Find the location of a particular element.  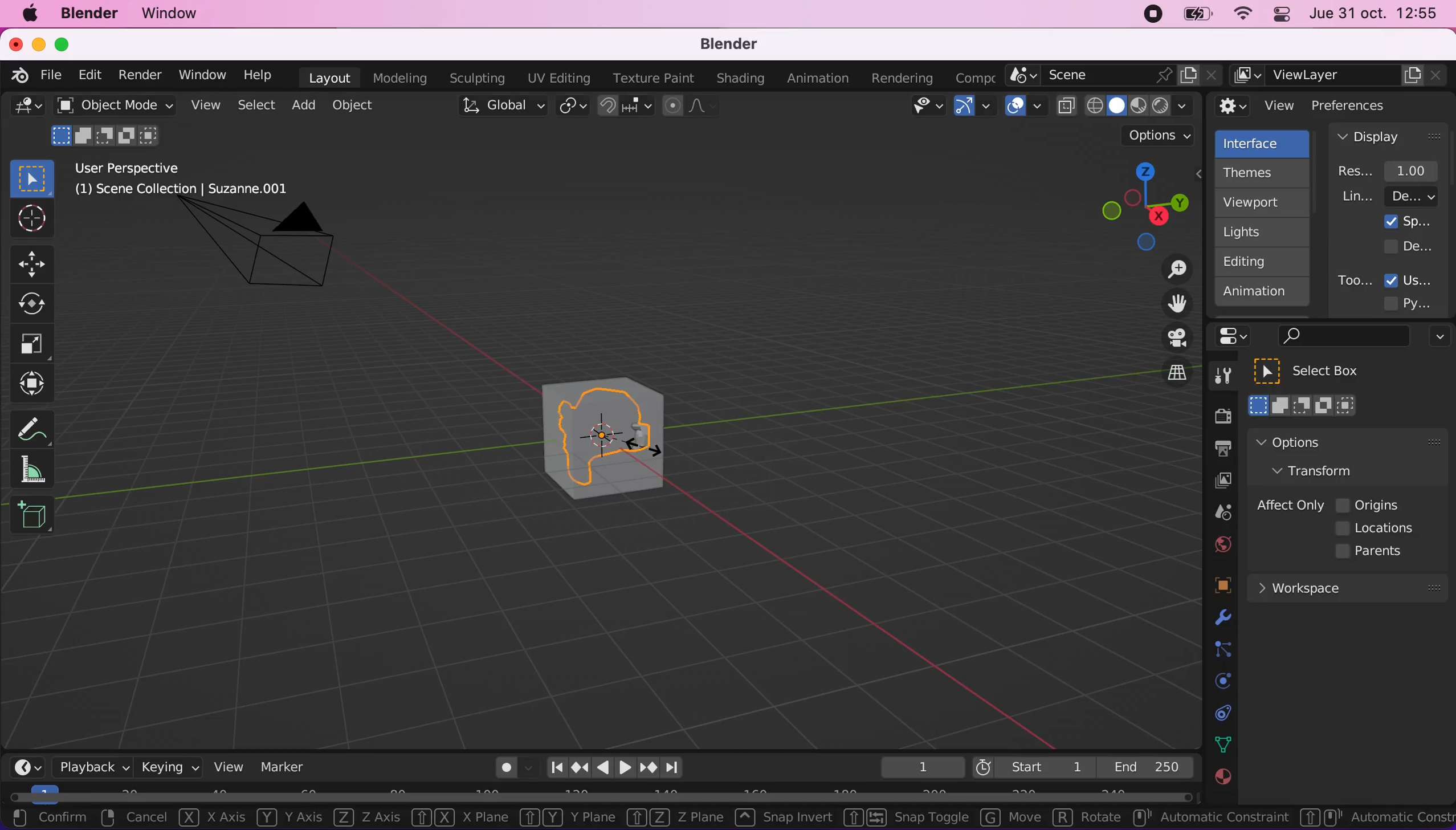

object mode is located at coordinates (111, 105).